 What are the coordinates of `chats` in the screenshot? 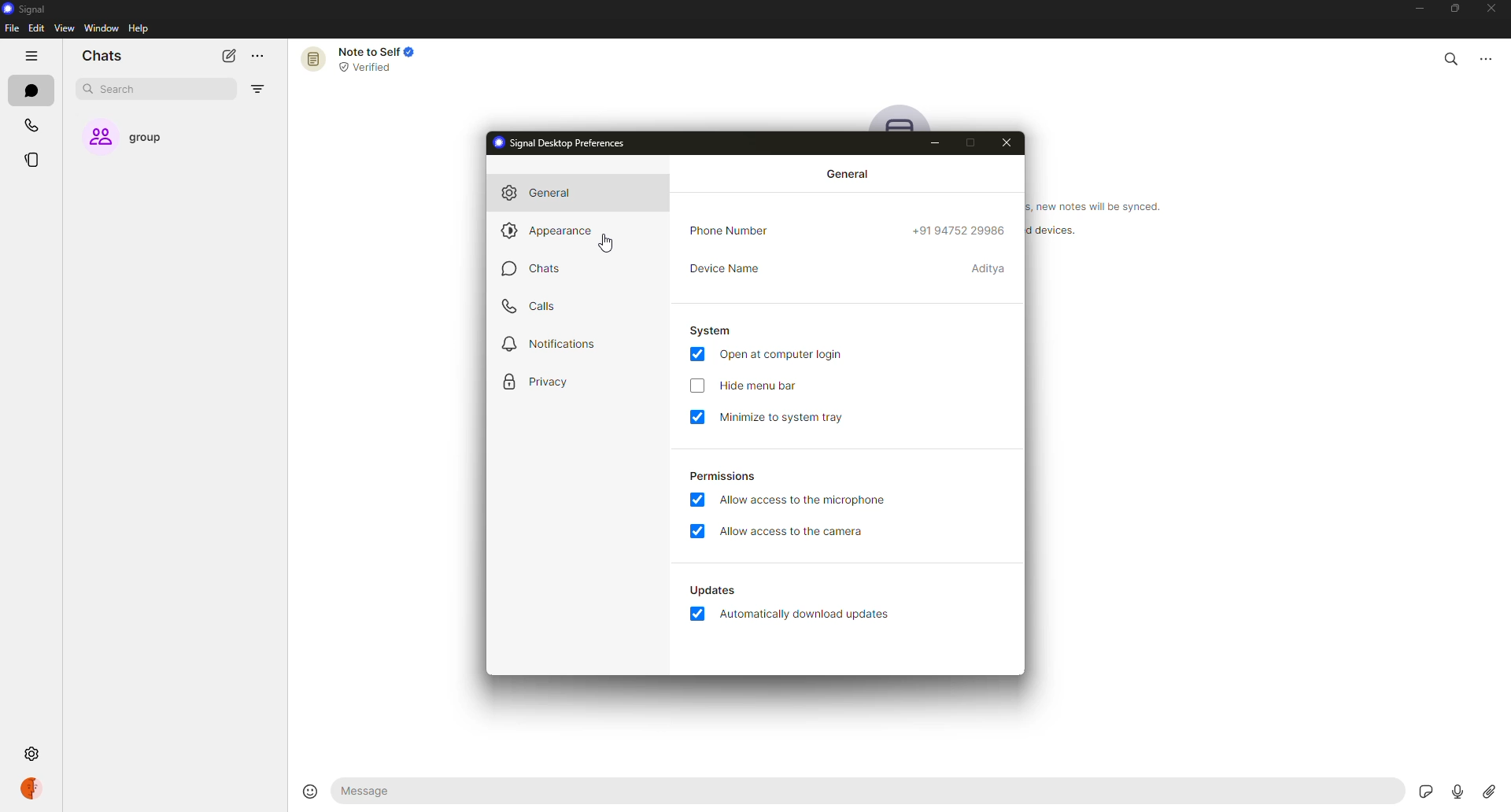 It's located at (35, 92).